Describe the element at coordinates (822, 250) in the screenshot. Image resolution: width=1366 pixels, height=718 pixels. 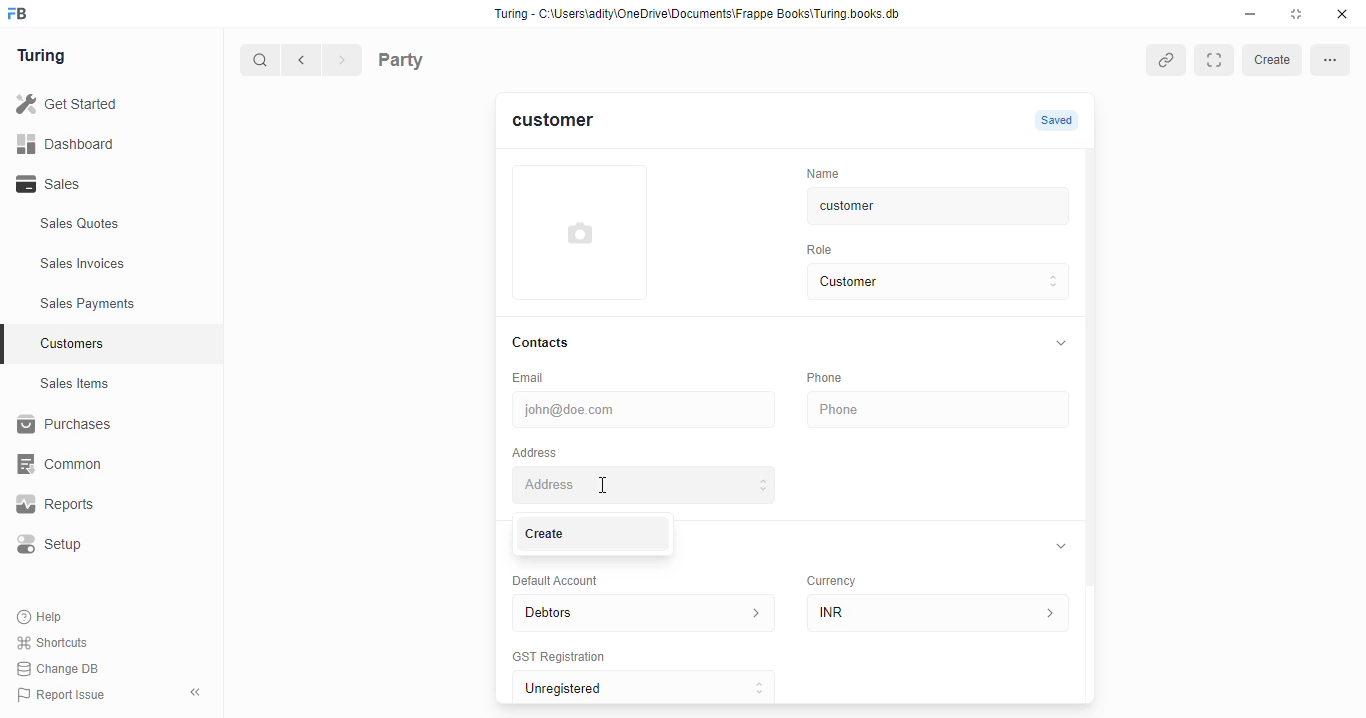
I see `Role` at that location.